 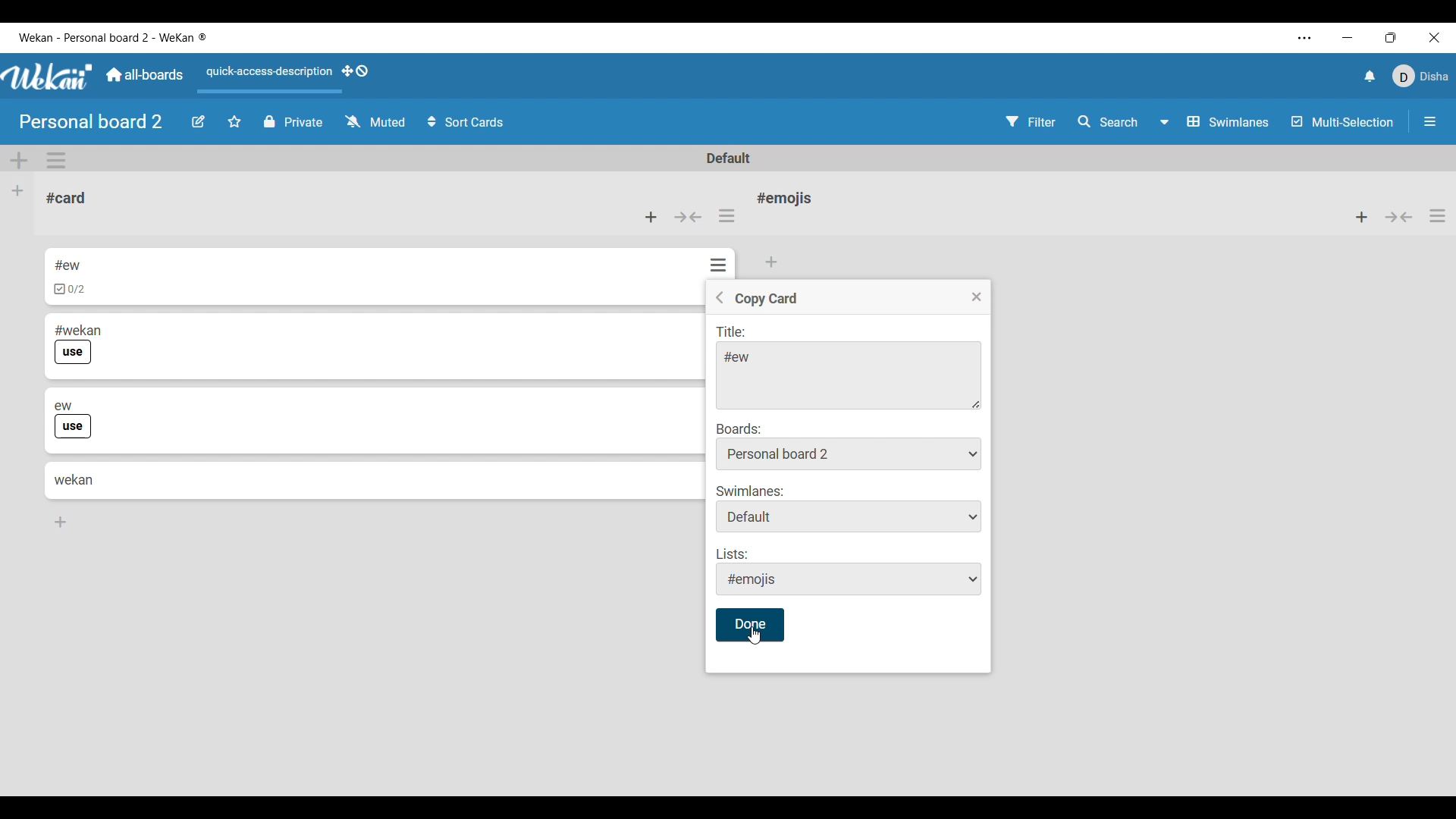 I want to click on Swimlanes, so click(x=851, y=509).